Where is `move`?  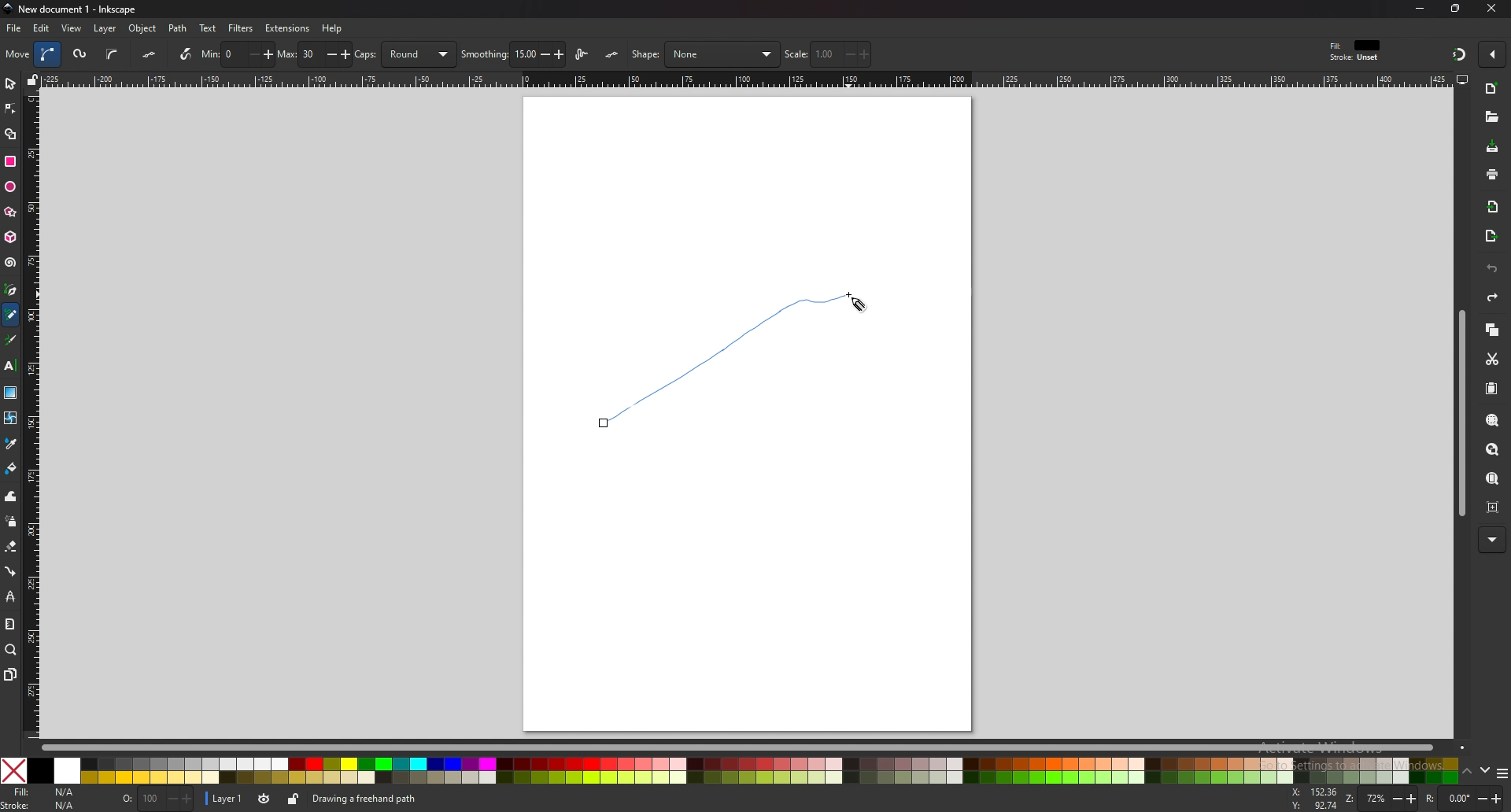 move is located at coordinates (17, 54).